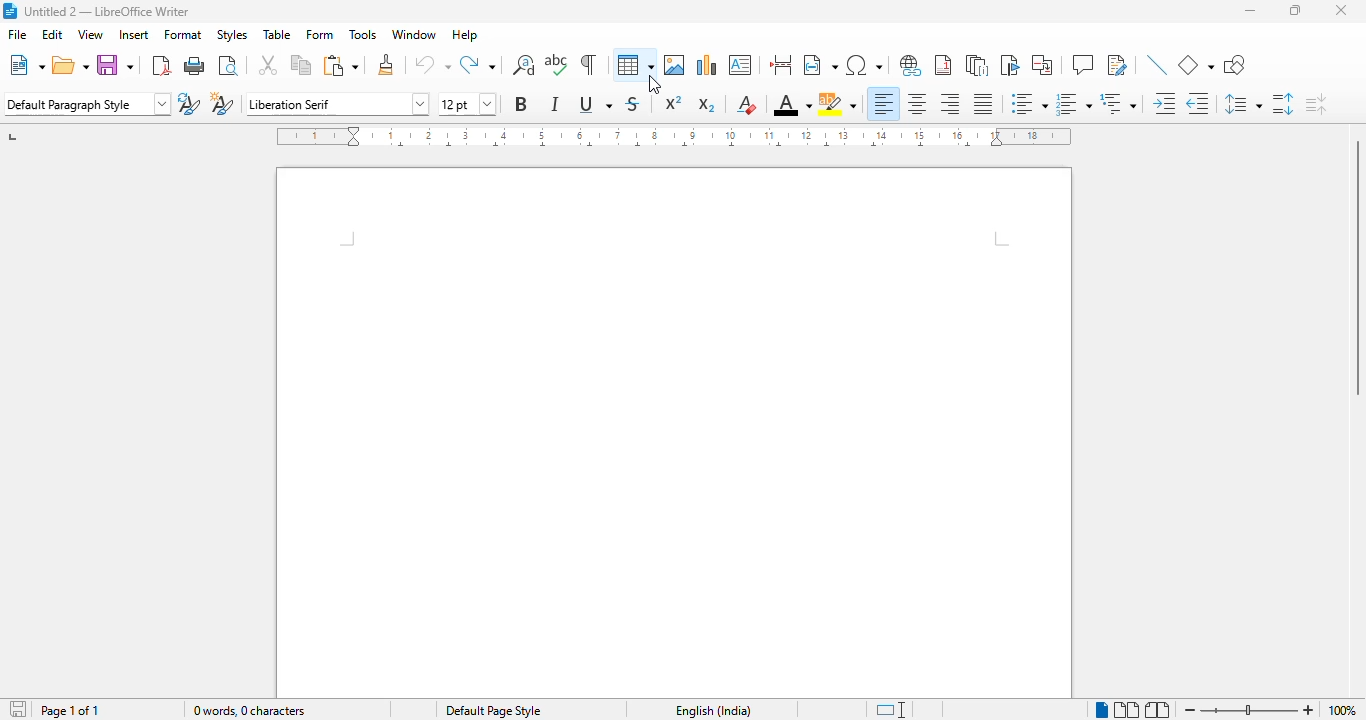 The height and width of the screenshot is (720, 1366). Describe the element at coordinates (493, 710) in the screenshot. I see `page style` at that location.